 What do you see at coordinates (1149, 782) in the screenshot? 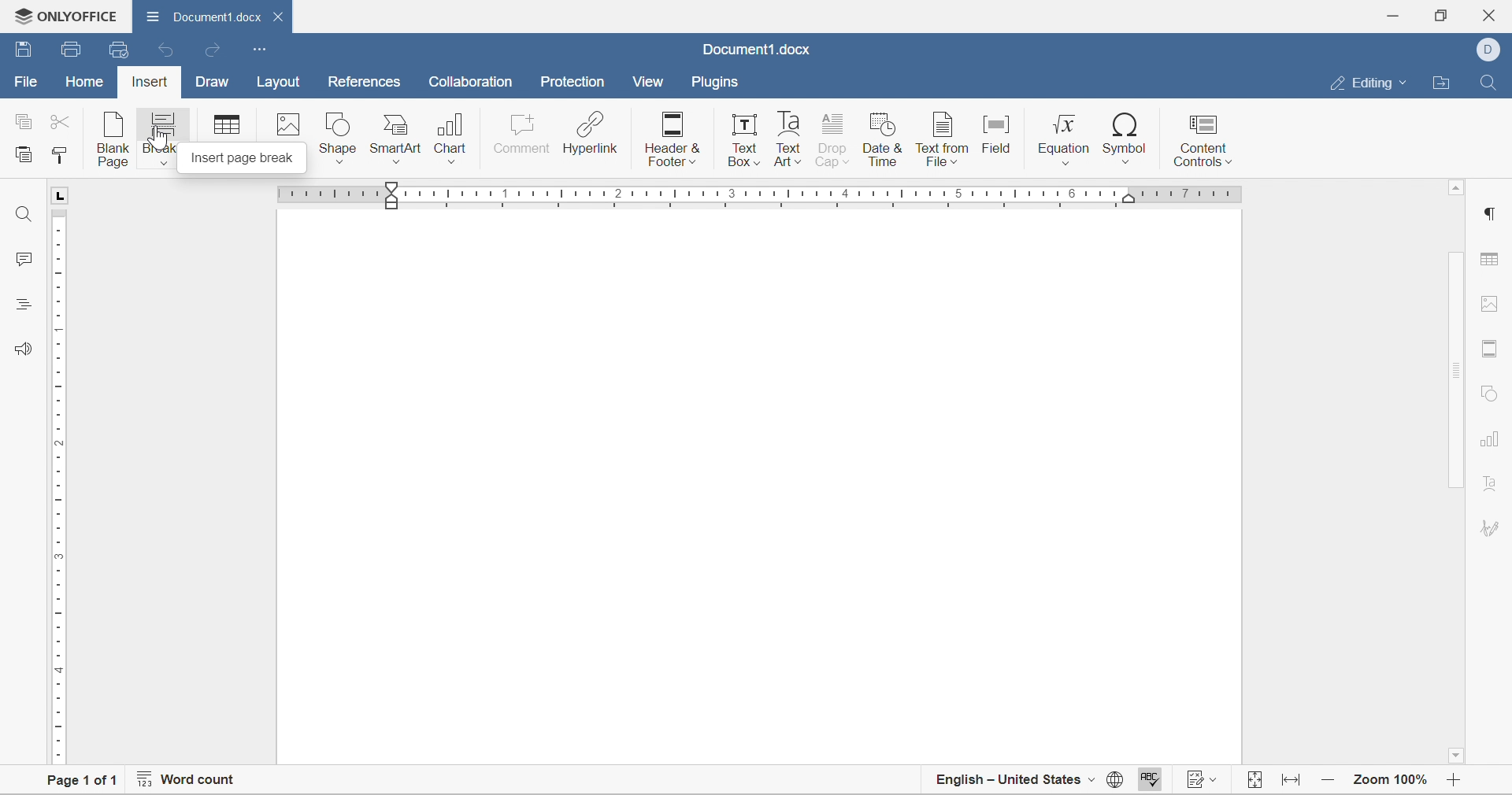
I see `ABC` at bounding box center [1149, 782].